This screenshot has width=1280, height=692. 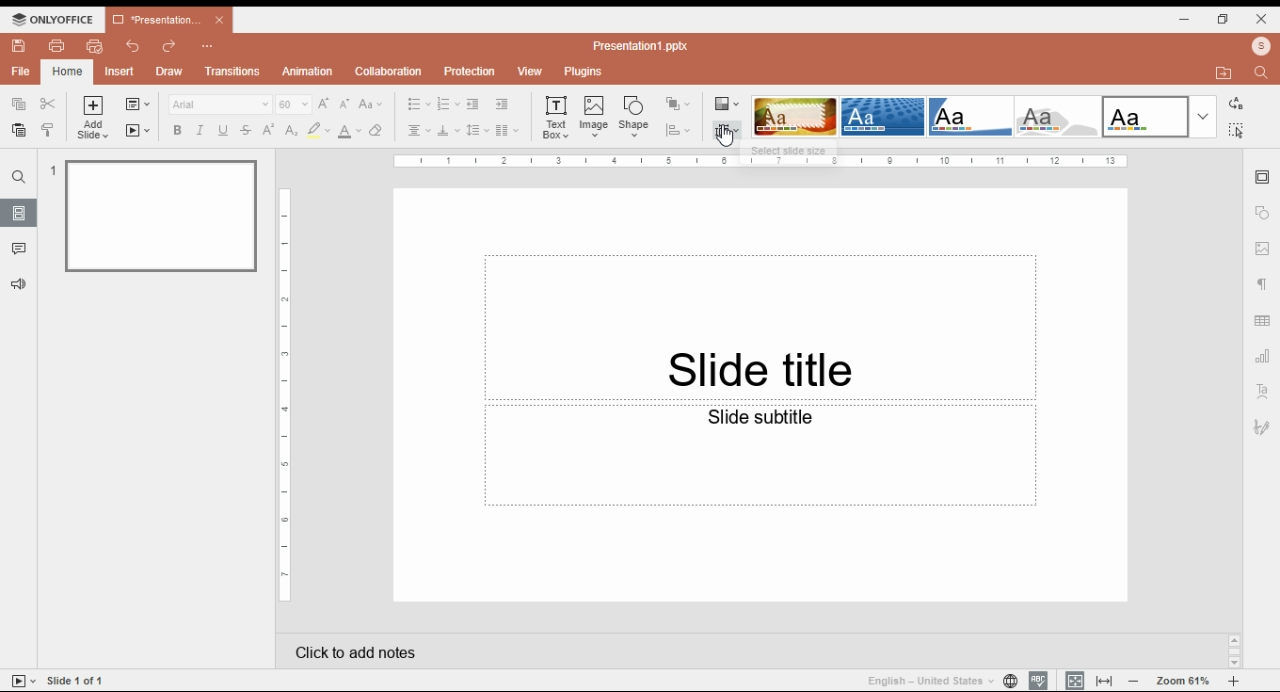 What do you see at coordinates (269, 129) in the screenshot?
I see `superscript` at bounding box center [269, 129].